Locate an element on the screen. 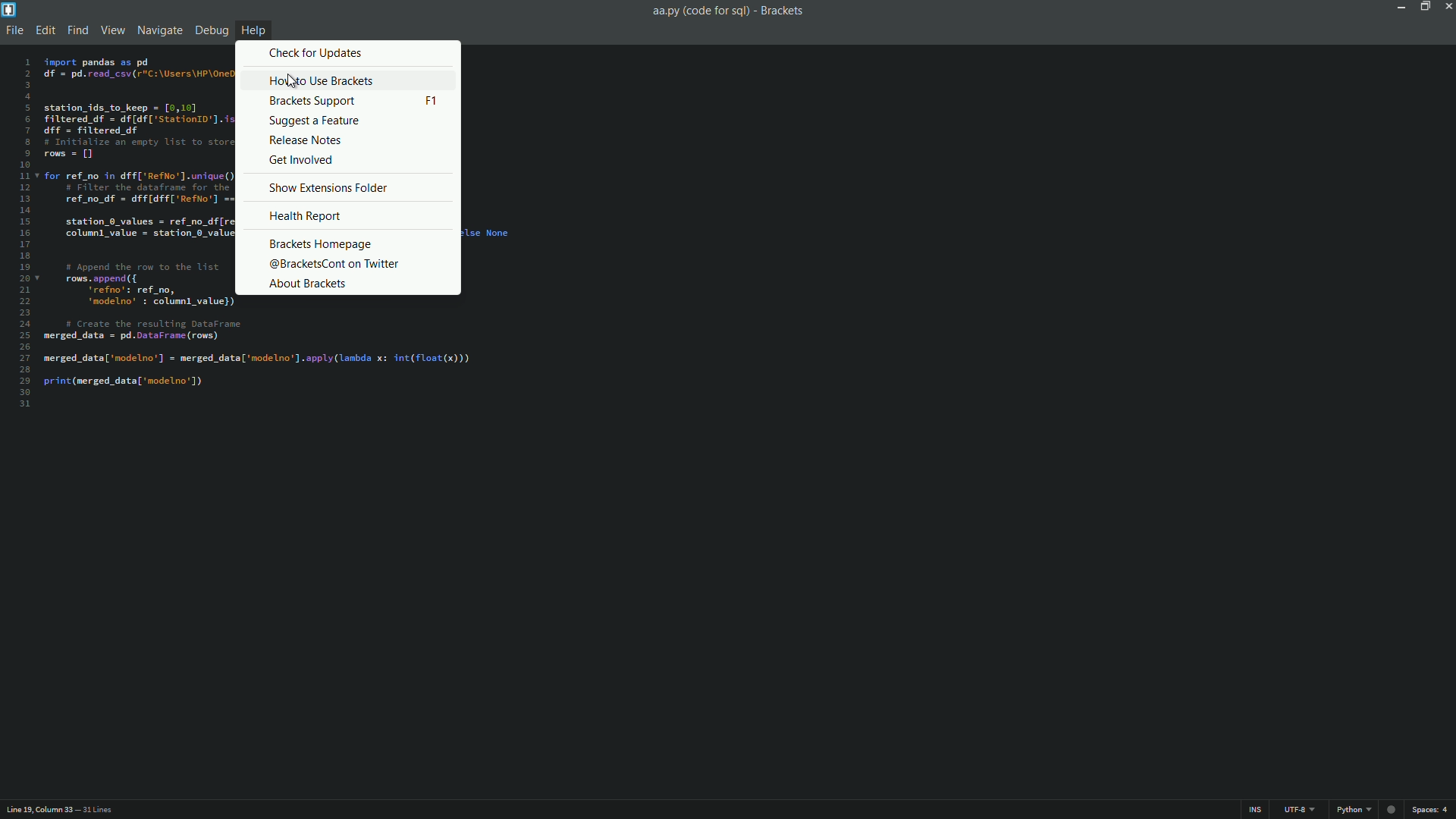 The image size is (1456, 819). edit menu is located at coordinates (45, 30).